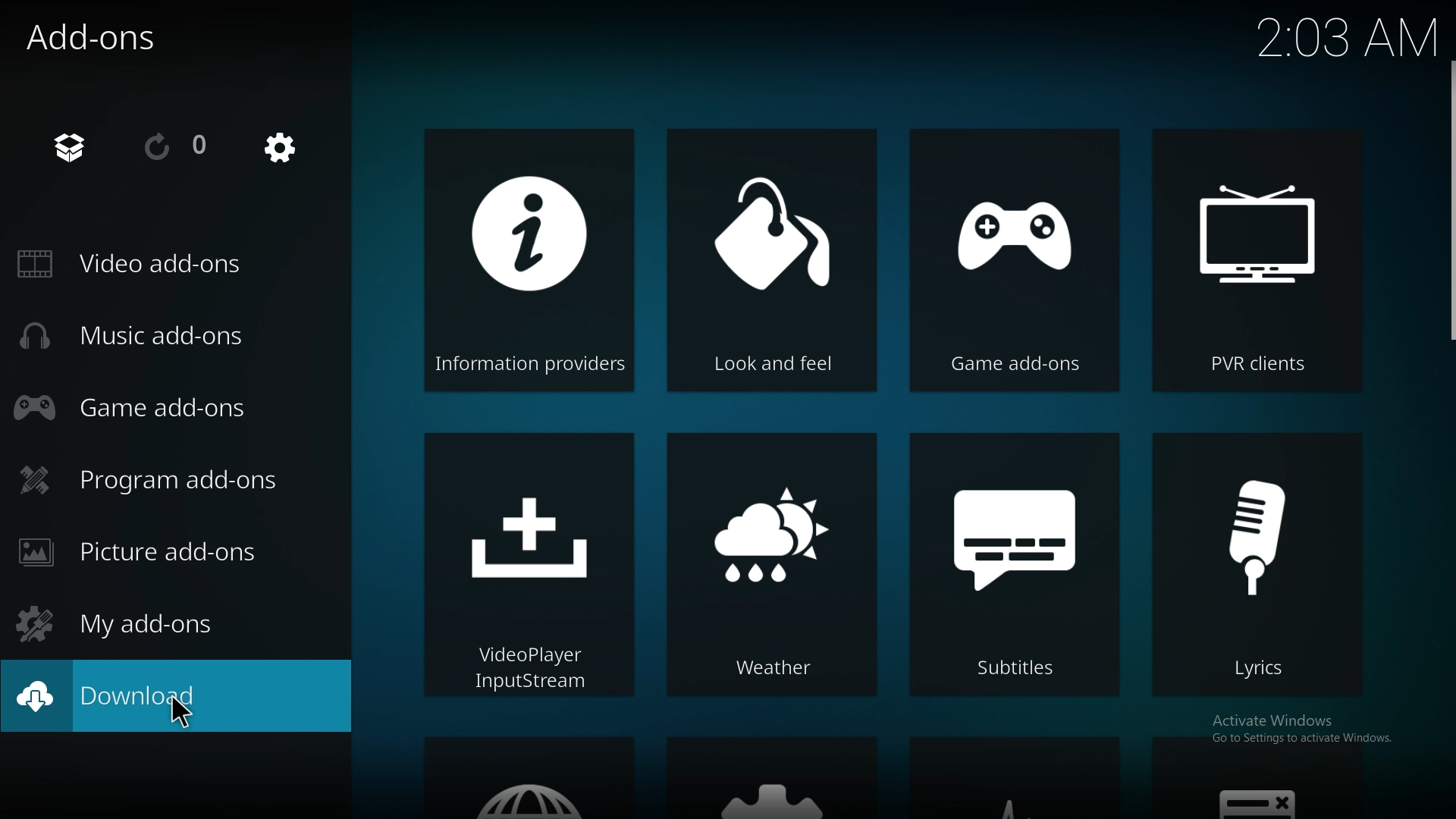 The width and height of the screenshot is (1456, 819). What do you see at coordinates (529, 777) in the screenshot?
I see `web interface` at bounding box center [529, 777].